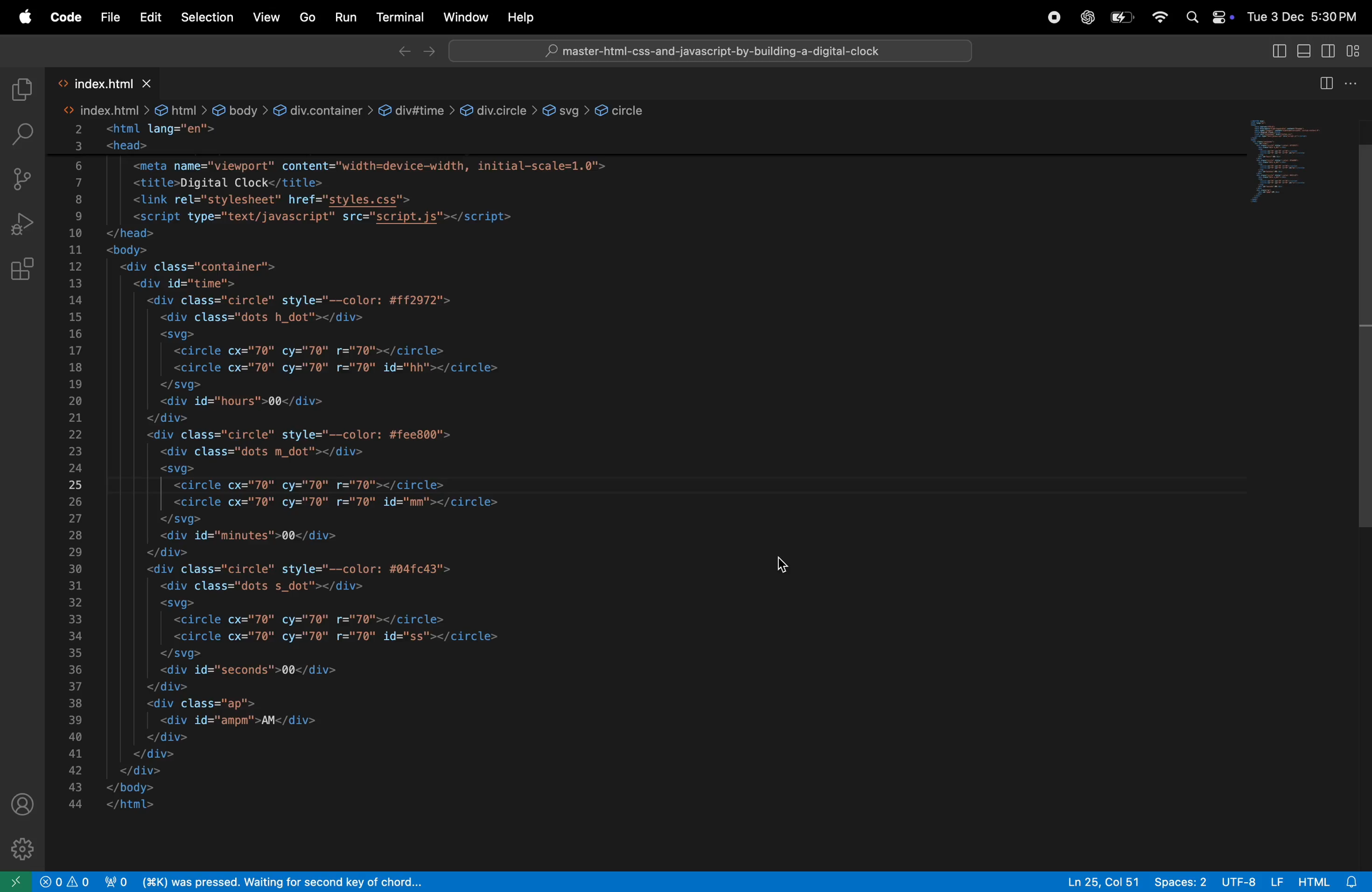 This screenshot has height=892, width=1372. What do you see at coordinates (22, 132) in the screenshot?
I see `search` at bounding box center [22, 132].